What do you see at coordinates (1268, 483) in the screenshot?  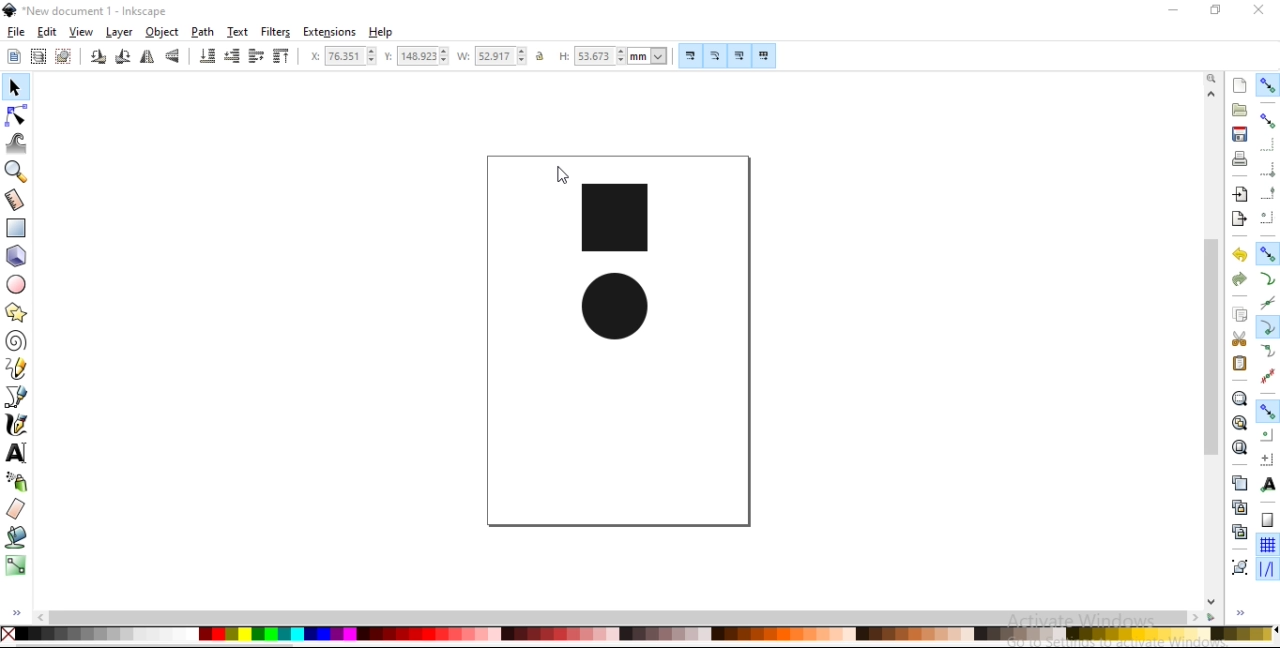 I see `snap text anchors and baselines` at bounding box center [1268, 483].